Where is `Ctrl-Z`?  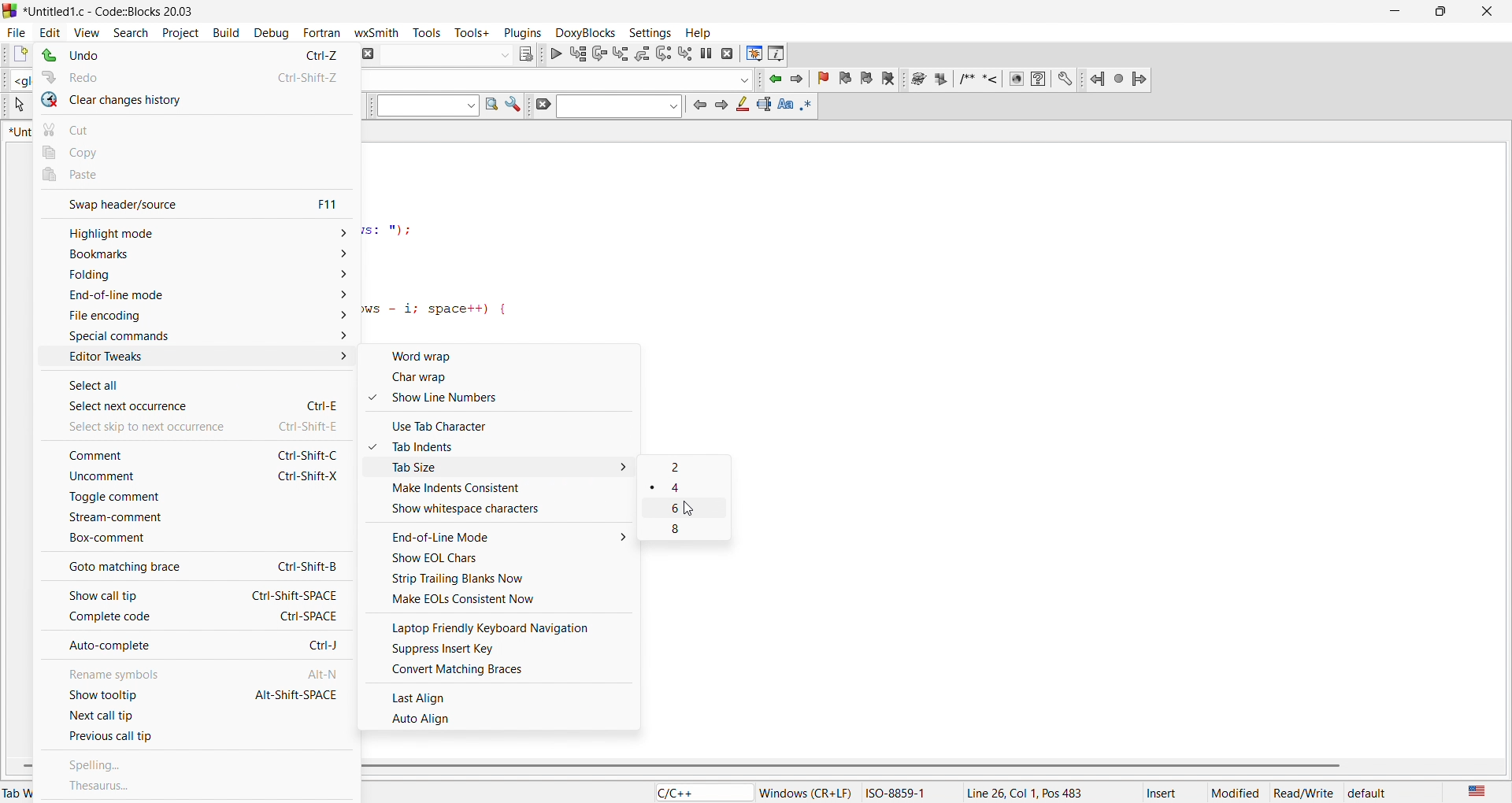
Ctrl-Z is located at coordinates (314, 54).